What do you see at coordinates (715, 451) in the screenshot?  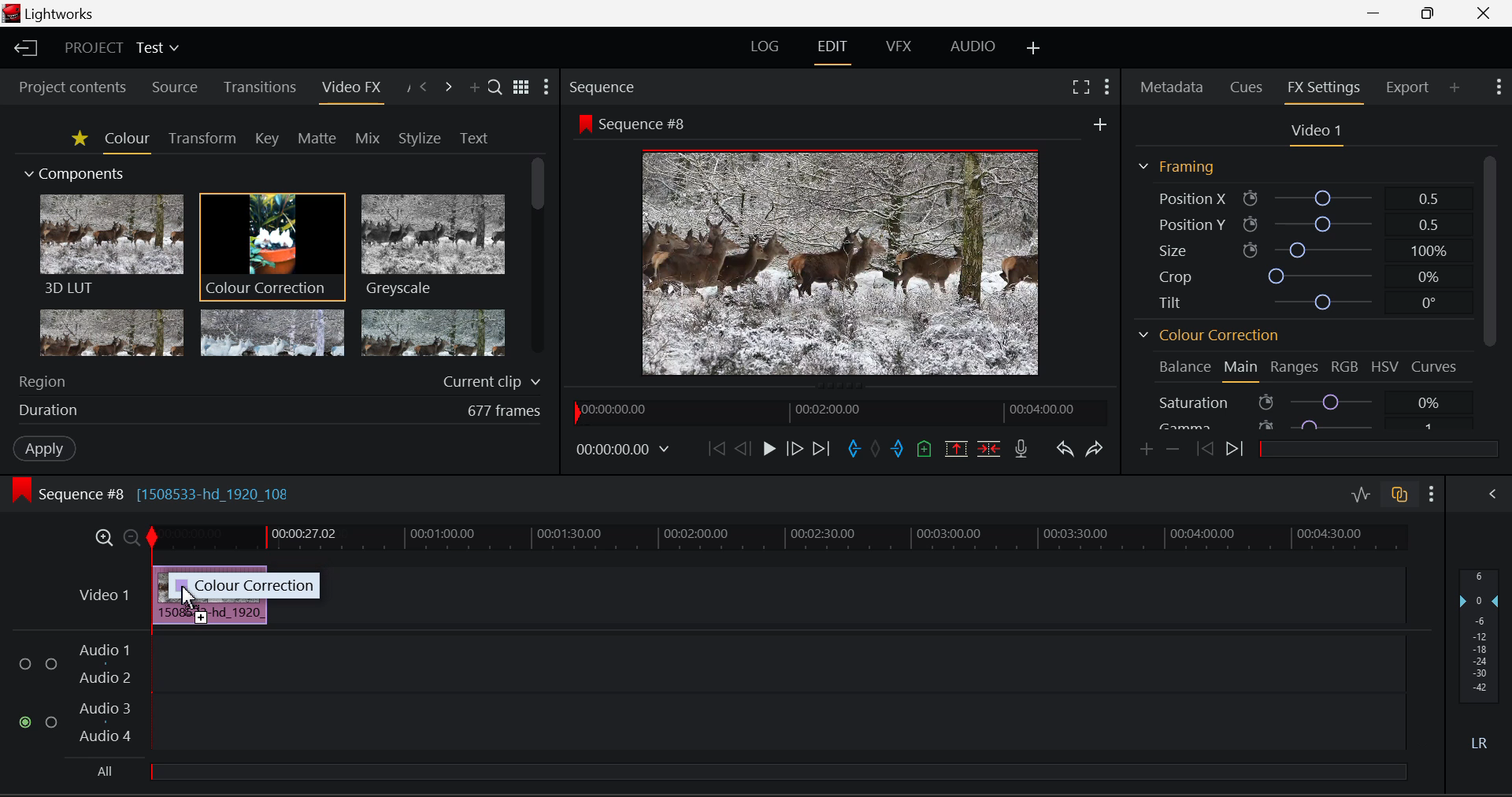 I see `To Start` at bounding box center [715, 451].